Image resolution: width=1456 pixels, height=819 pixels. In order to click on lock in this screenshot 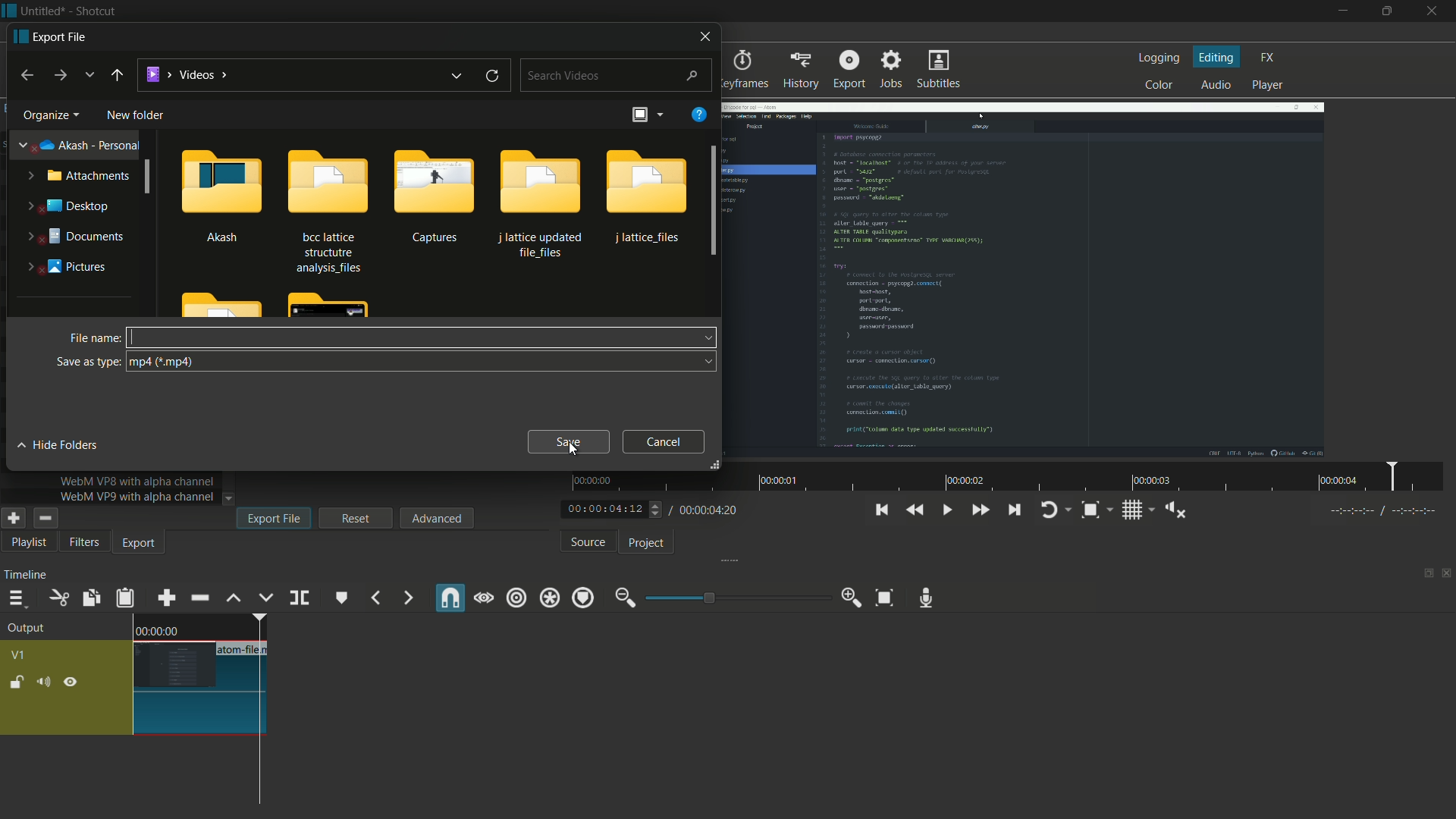, I will do `click(17, 682)`.